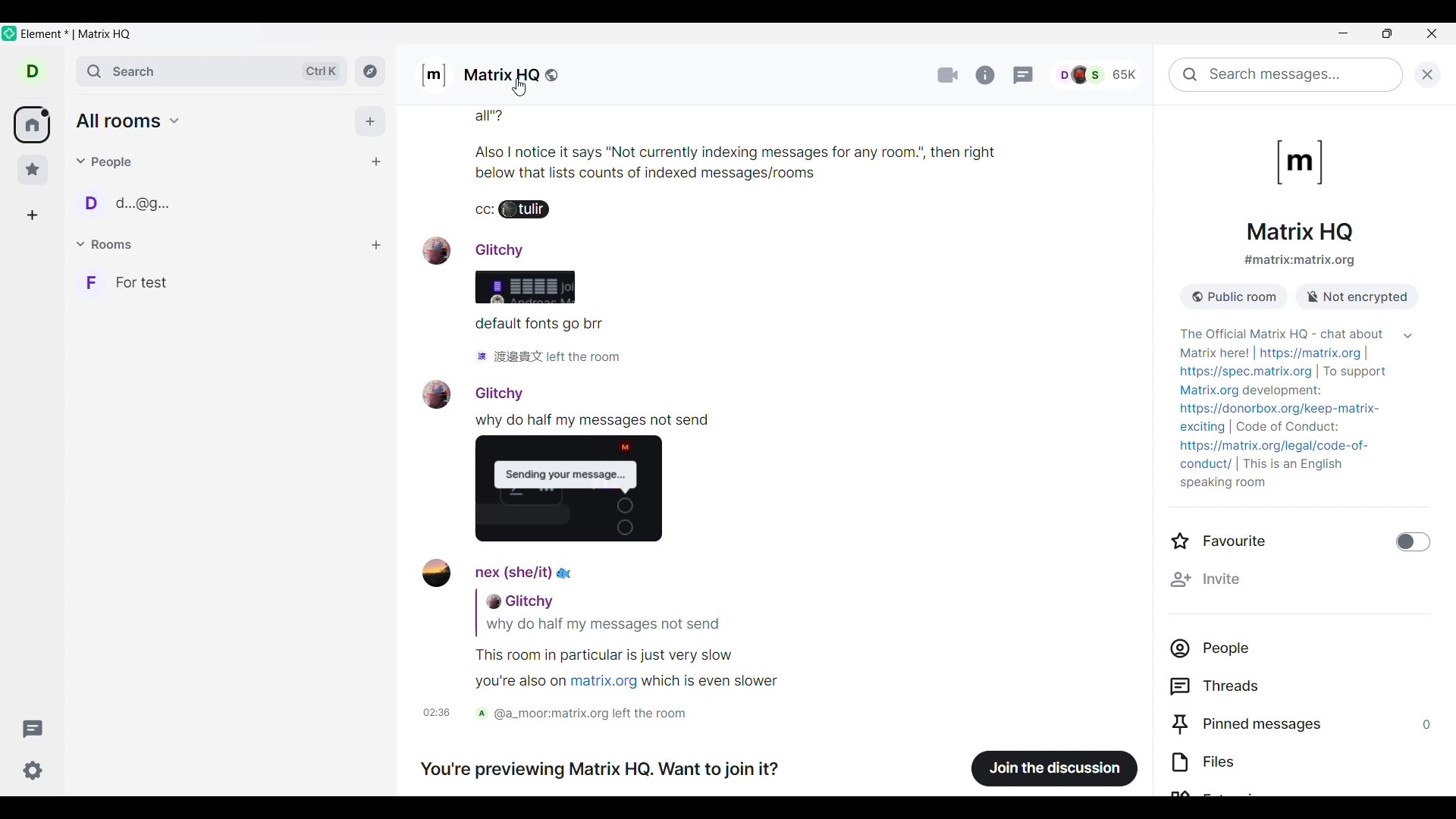  Describe the element at coordinates (1056, 767) in the screenshot. I see `Join the discussion` at that location.